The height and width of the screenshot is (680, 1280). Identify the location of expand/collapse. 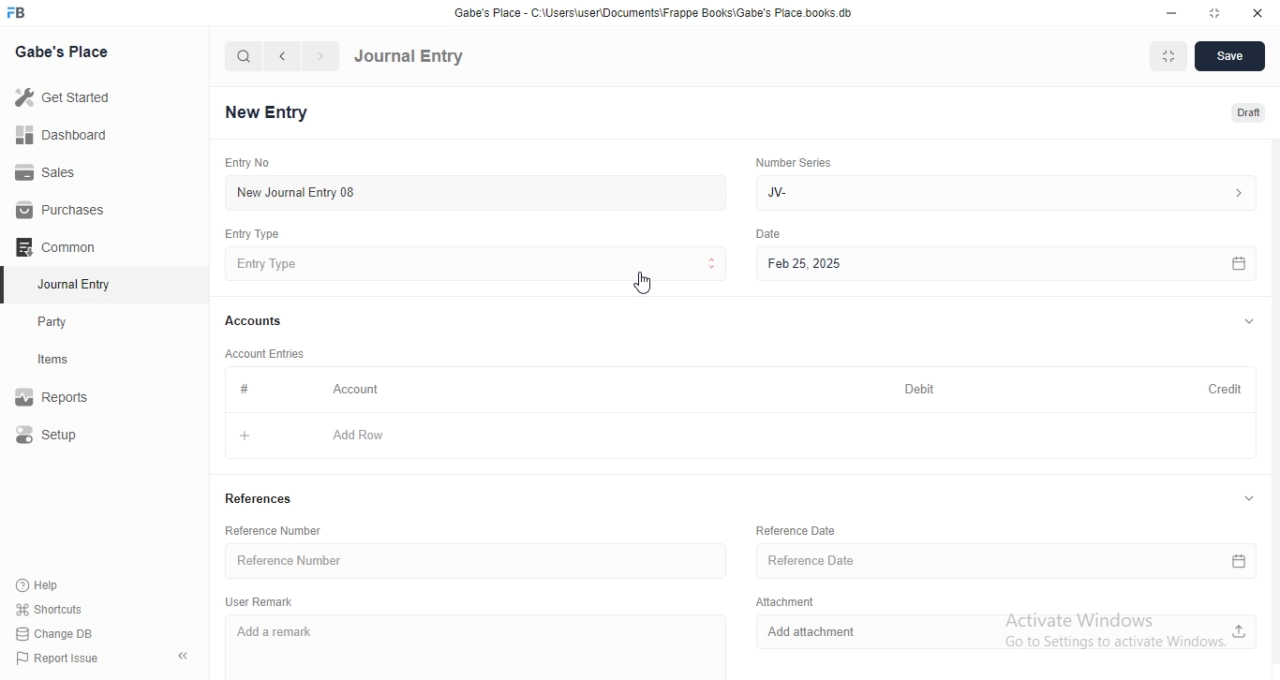
(1248, 500).